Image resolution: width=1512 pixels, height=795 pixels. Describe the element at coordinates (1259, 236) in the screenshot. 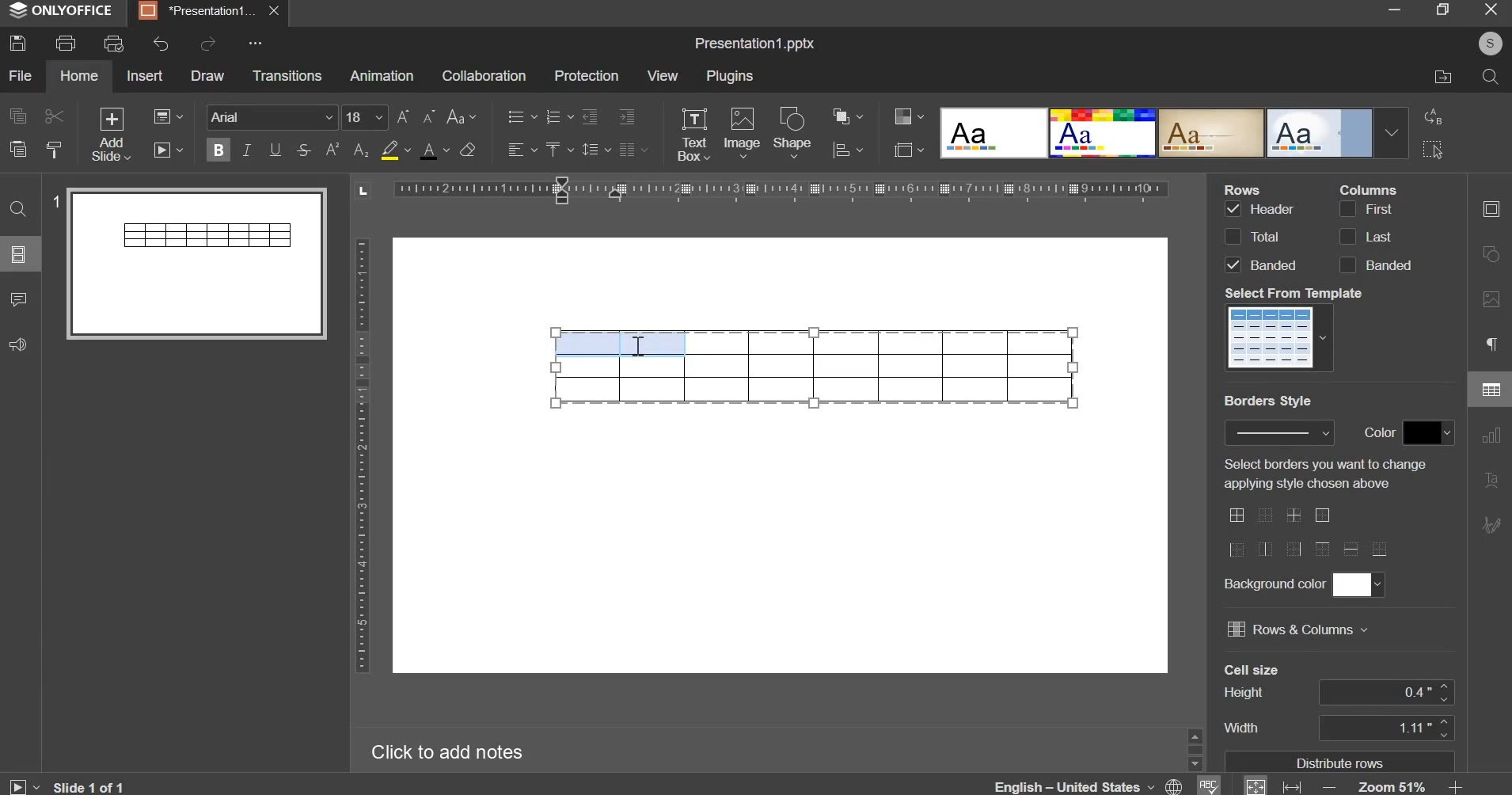

I see `rows` at that location.